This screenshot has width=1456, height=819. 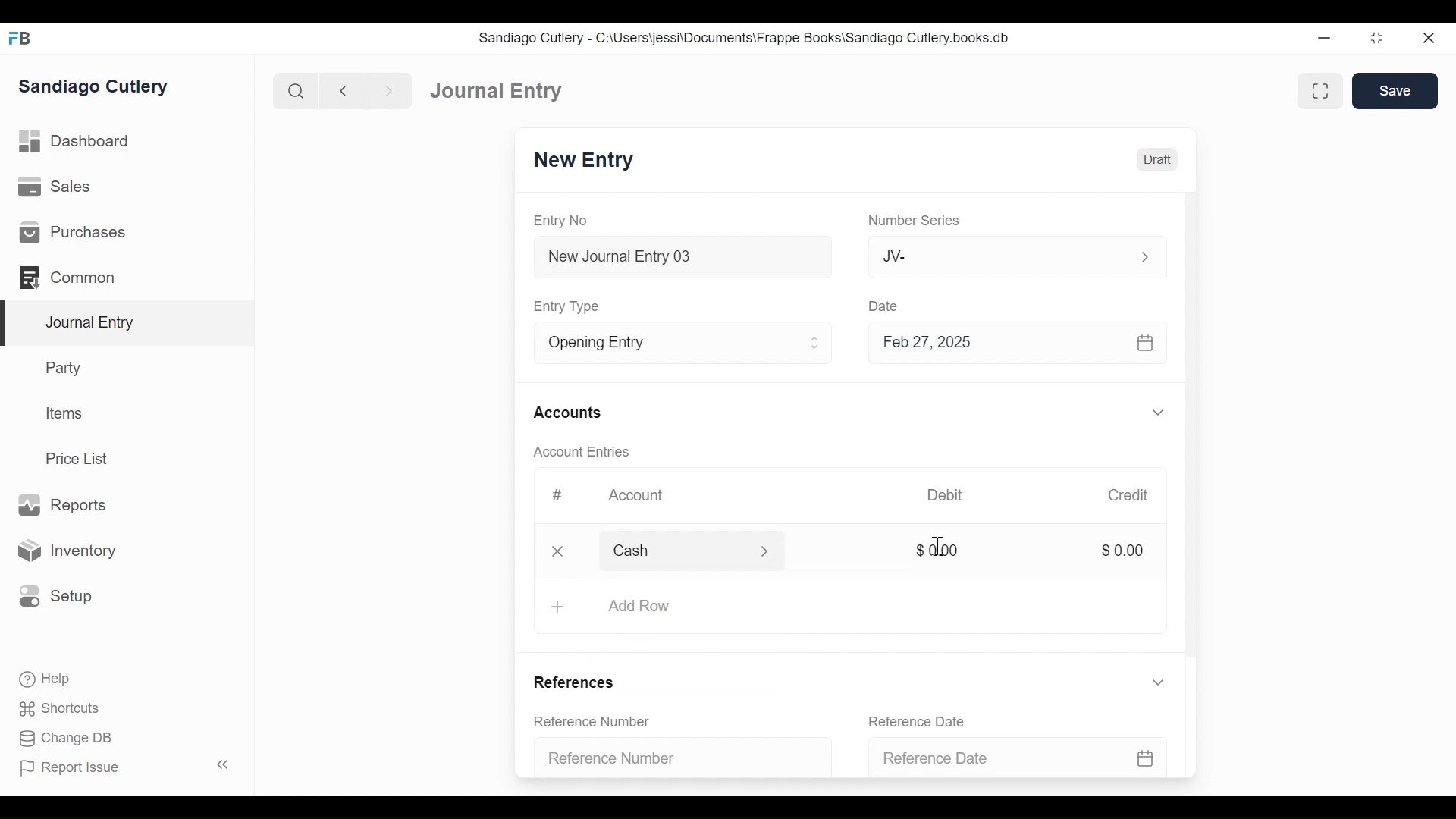 What do you see at coordinates (56, 597) in the screenshot?
I see `Setup` at bounding box center [56, 597].